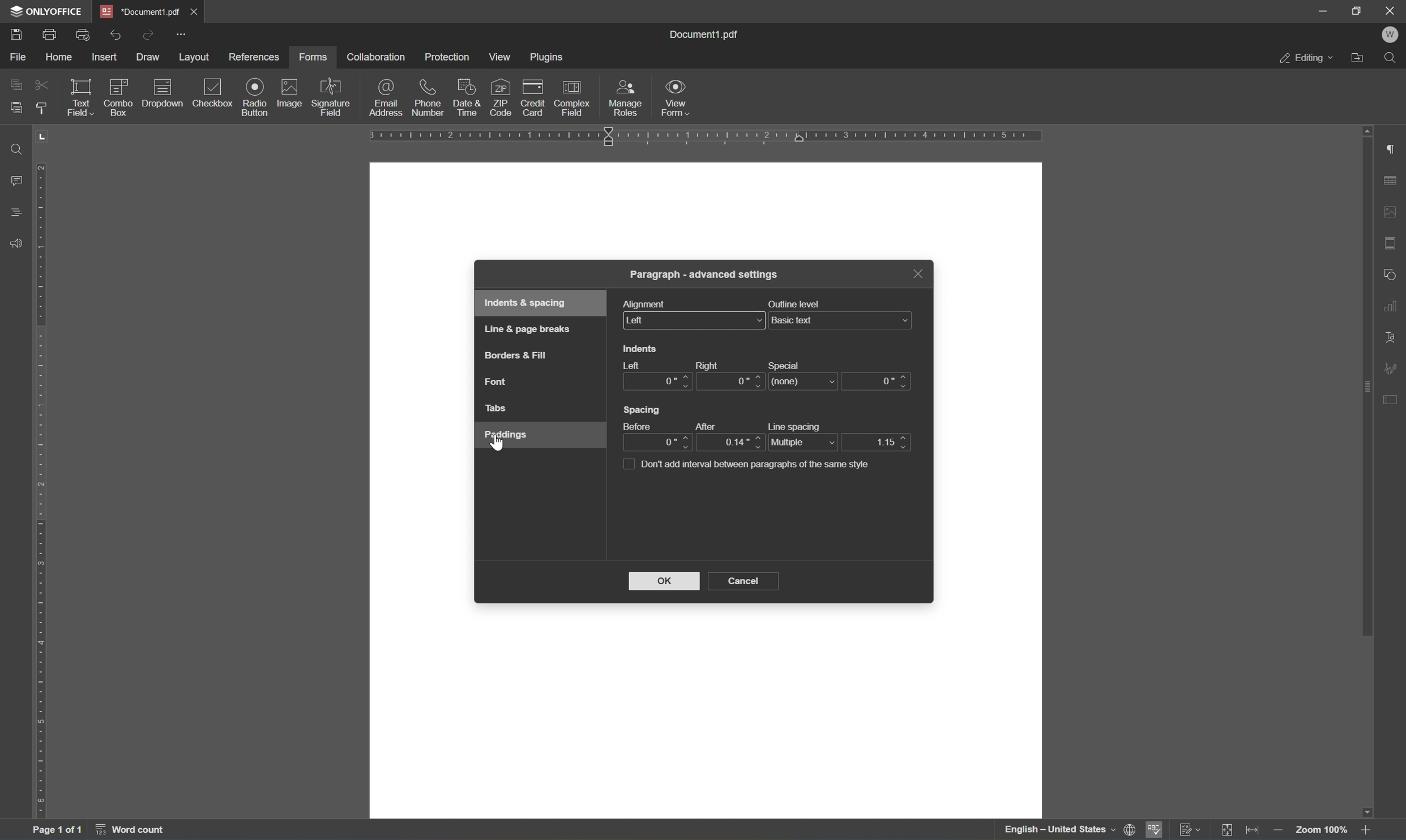 This screenshot has height=840, width=1406. I want to click on paragraph settings, so click(1394, 150).